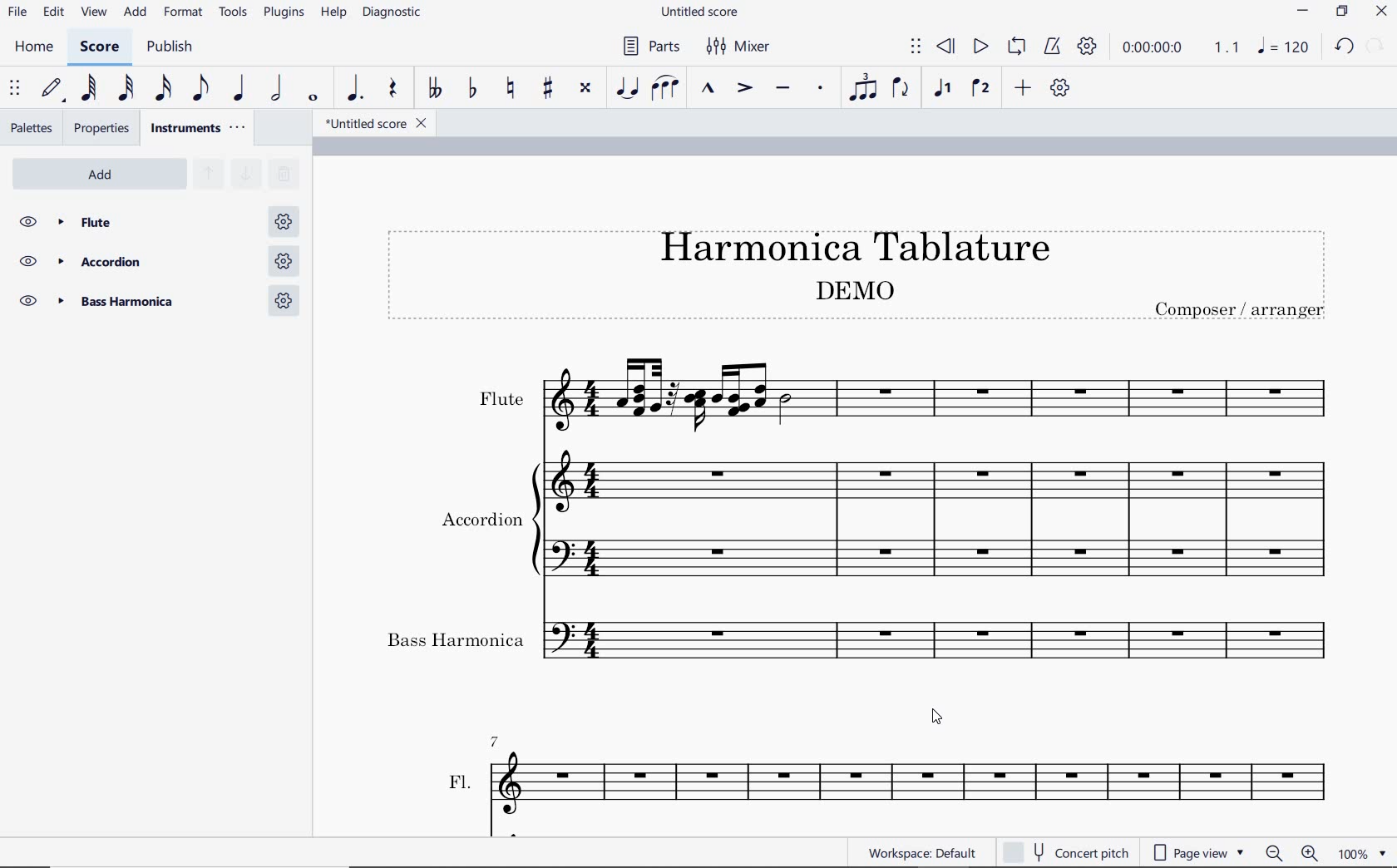 Image resolution: width=1397 pixels, height=868 pixels. I want to click on SCORE, so click(96, 49).